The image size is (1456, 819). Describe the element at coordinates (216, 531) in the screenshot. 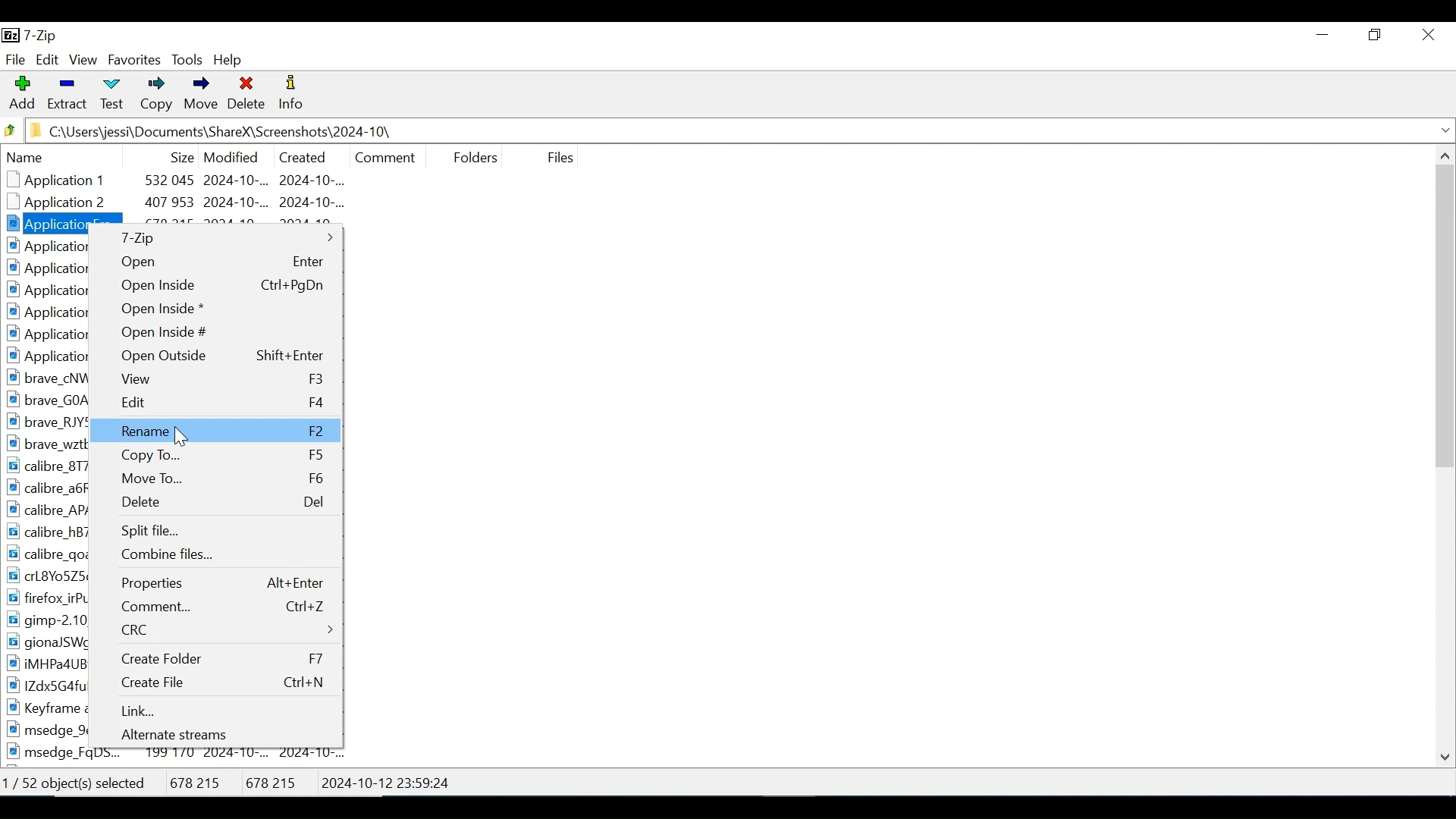

I see `Split file` at that location.